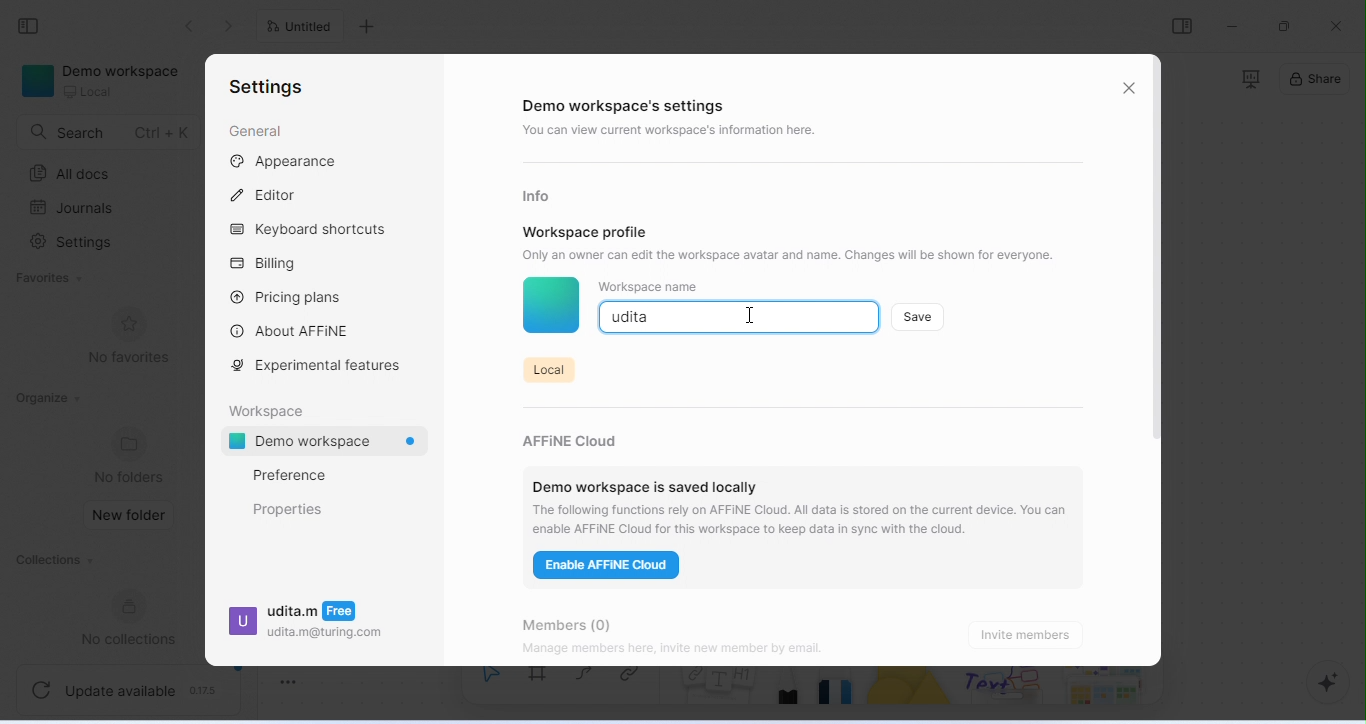  I want to click on preference, so click(289, 475).